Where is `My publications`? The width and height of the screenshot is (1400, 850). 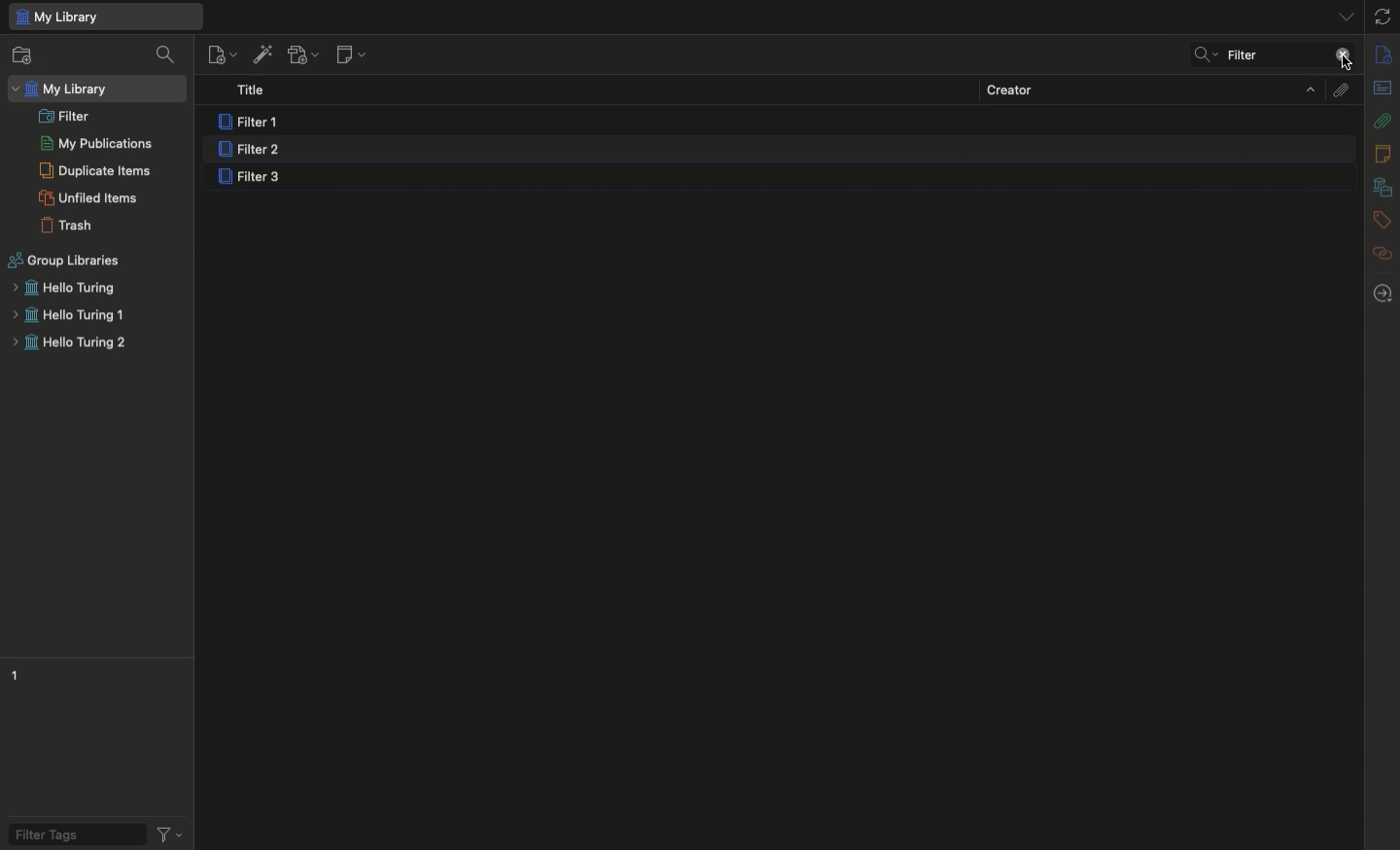
My publications is located at coordinates (96, 145).